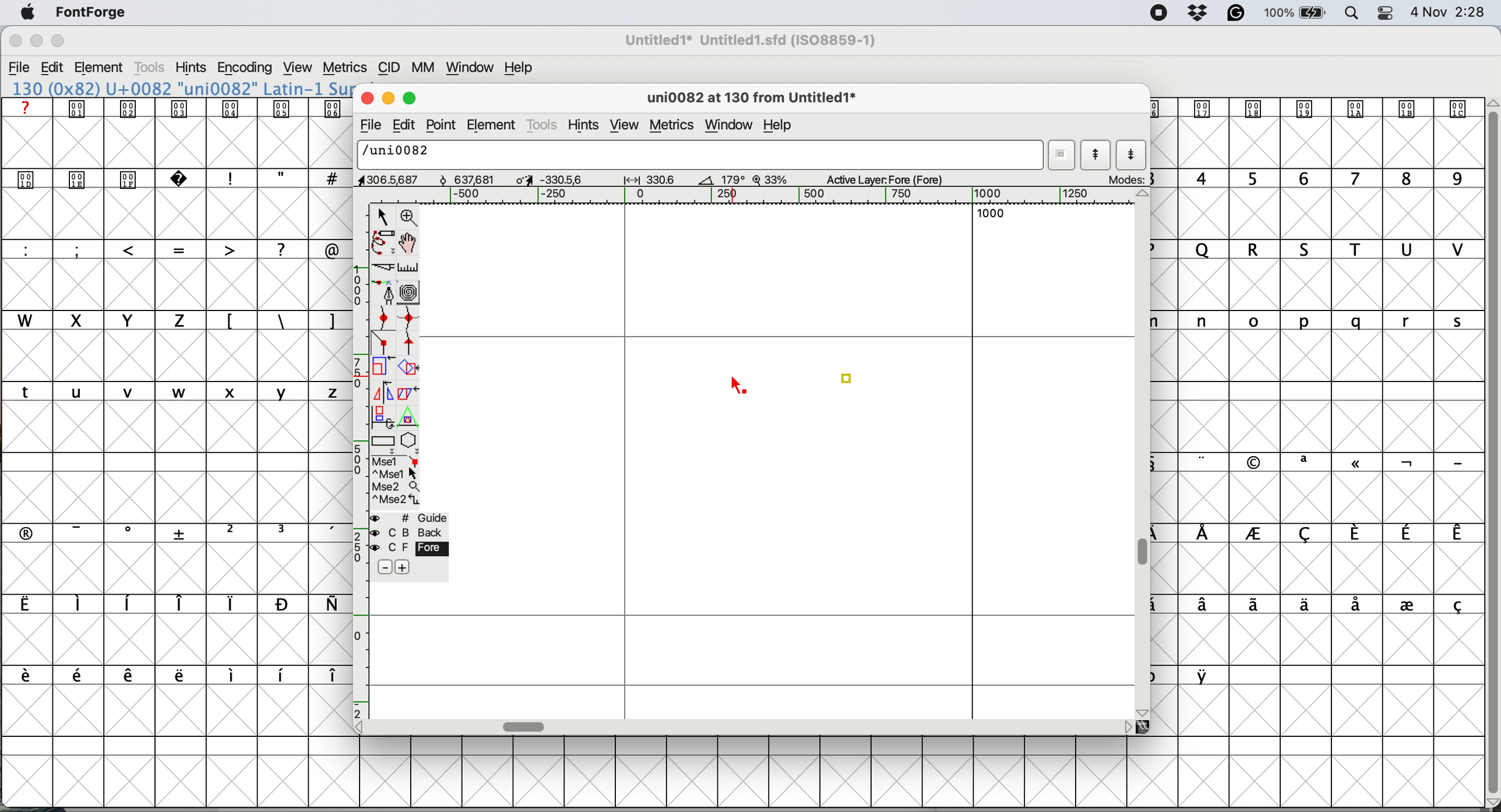 This screenshot has width=1501, height=812. Describe the element at coordinates (896, 178) in the screenshot. I see `active layer` at that location.